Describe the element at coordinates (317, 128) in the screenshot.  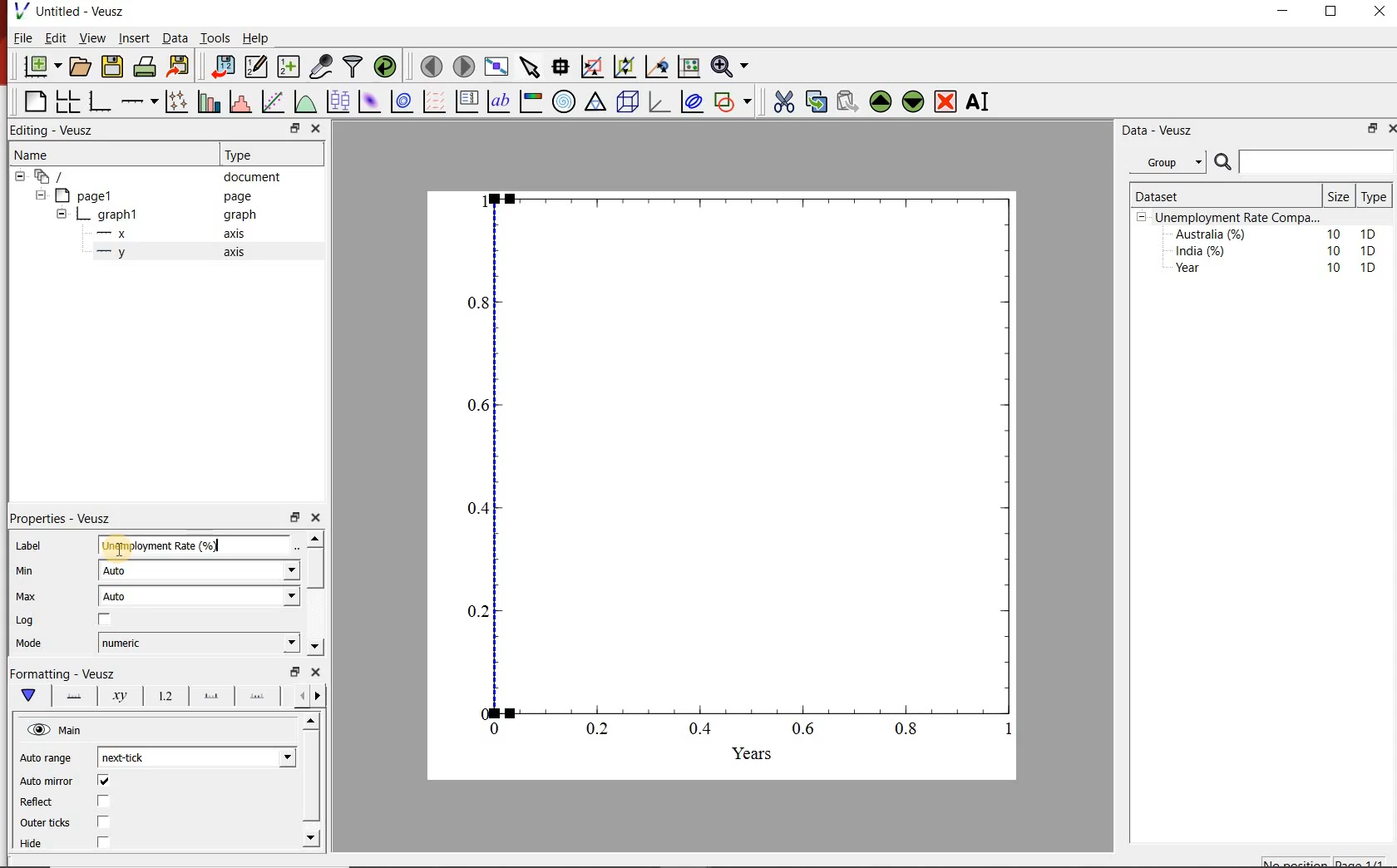
I see `close` at that location.